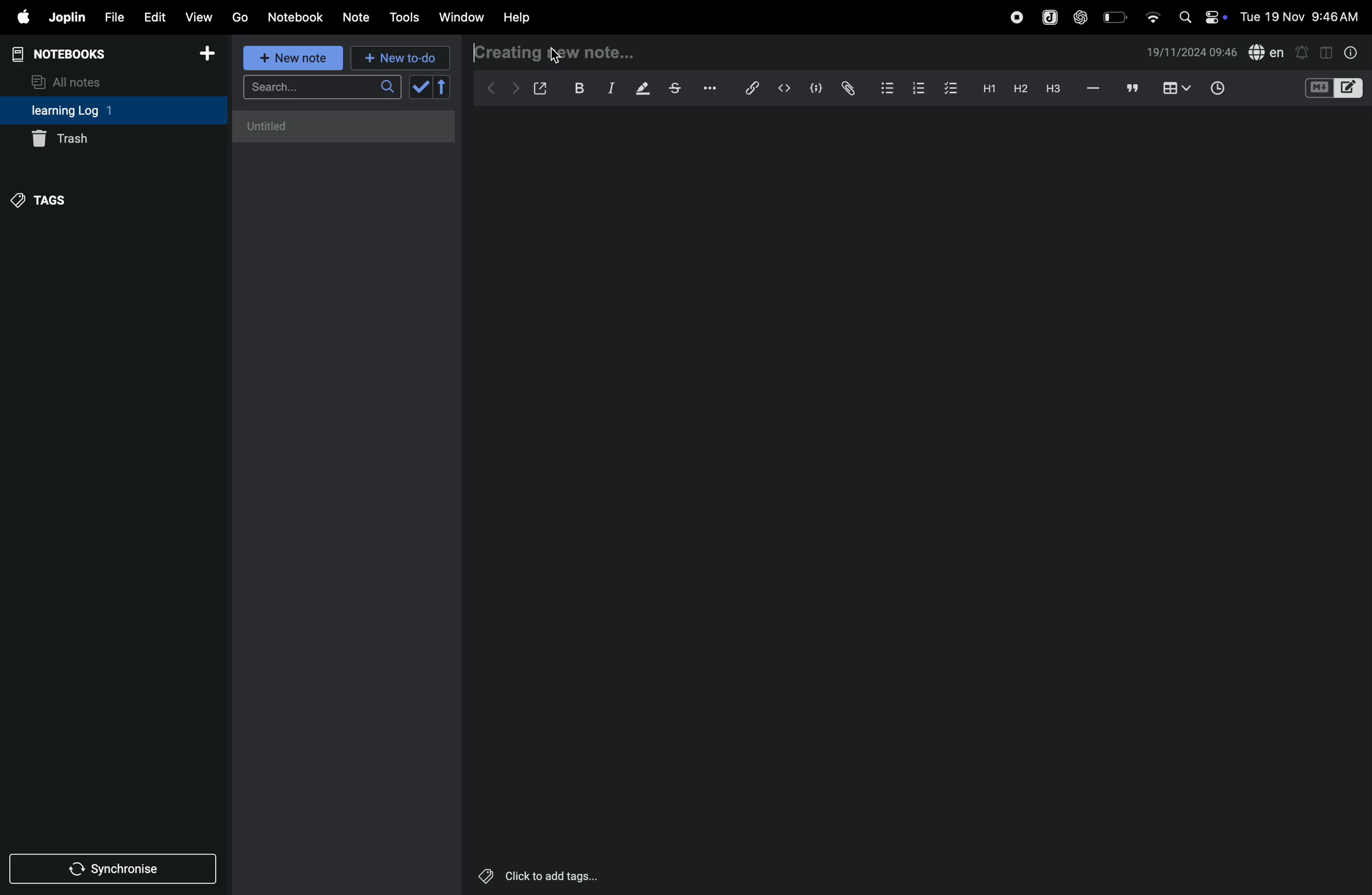  What do you see at coordinates (1303, 51) in the screenshot?
I see `alert` at bounding box center [1303, 51].